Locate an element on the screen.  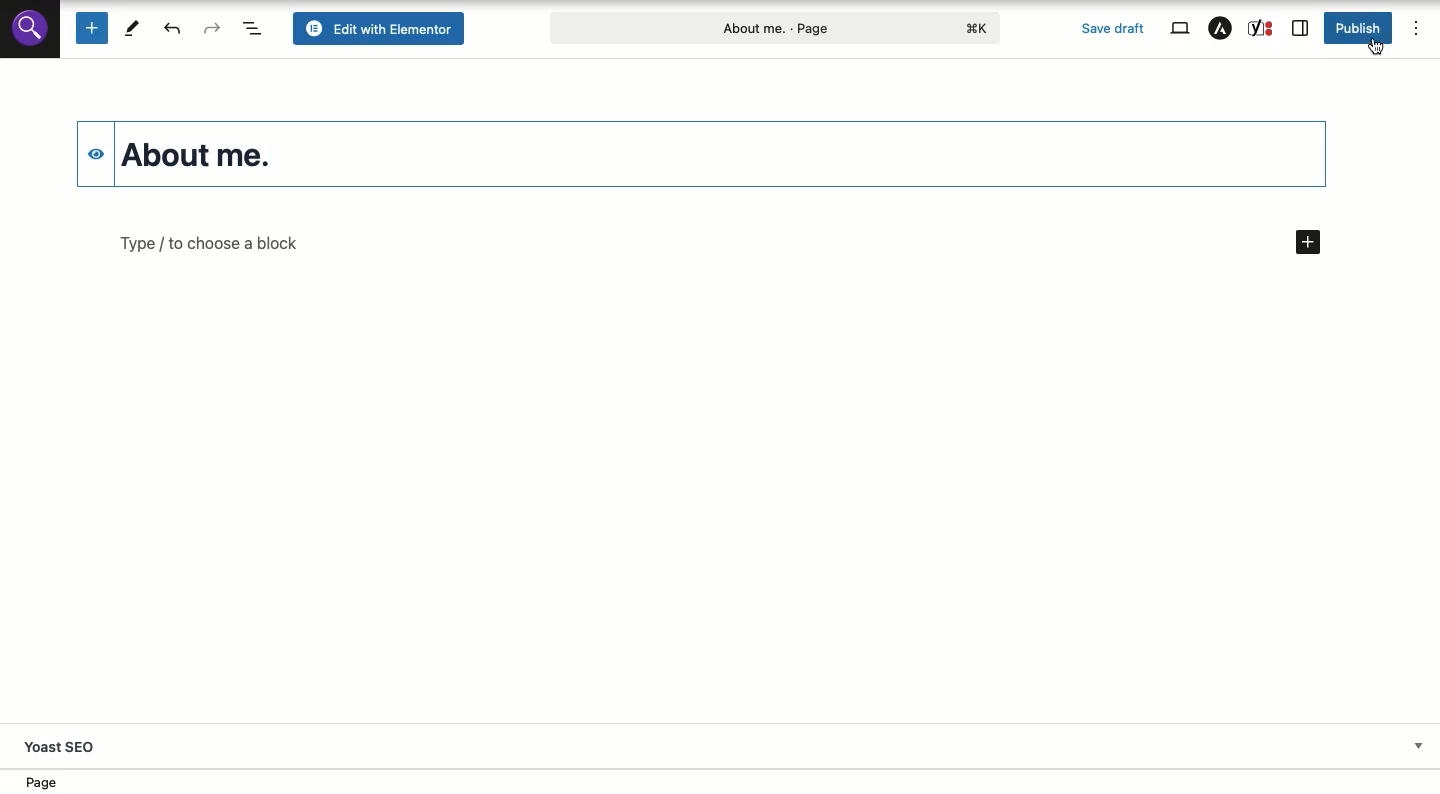
Tools is located at coordinates (132, 27).